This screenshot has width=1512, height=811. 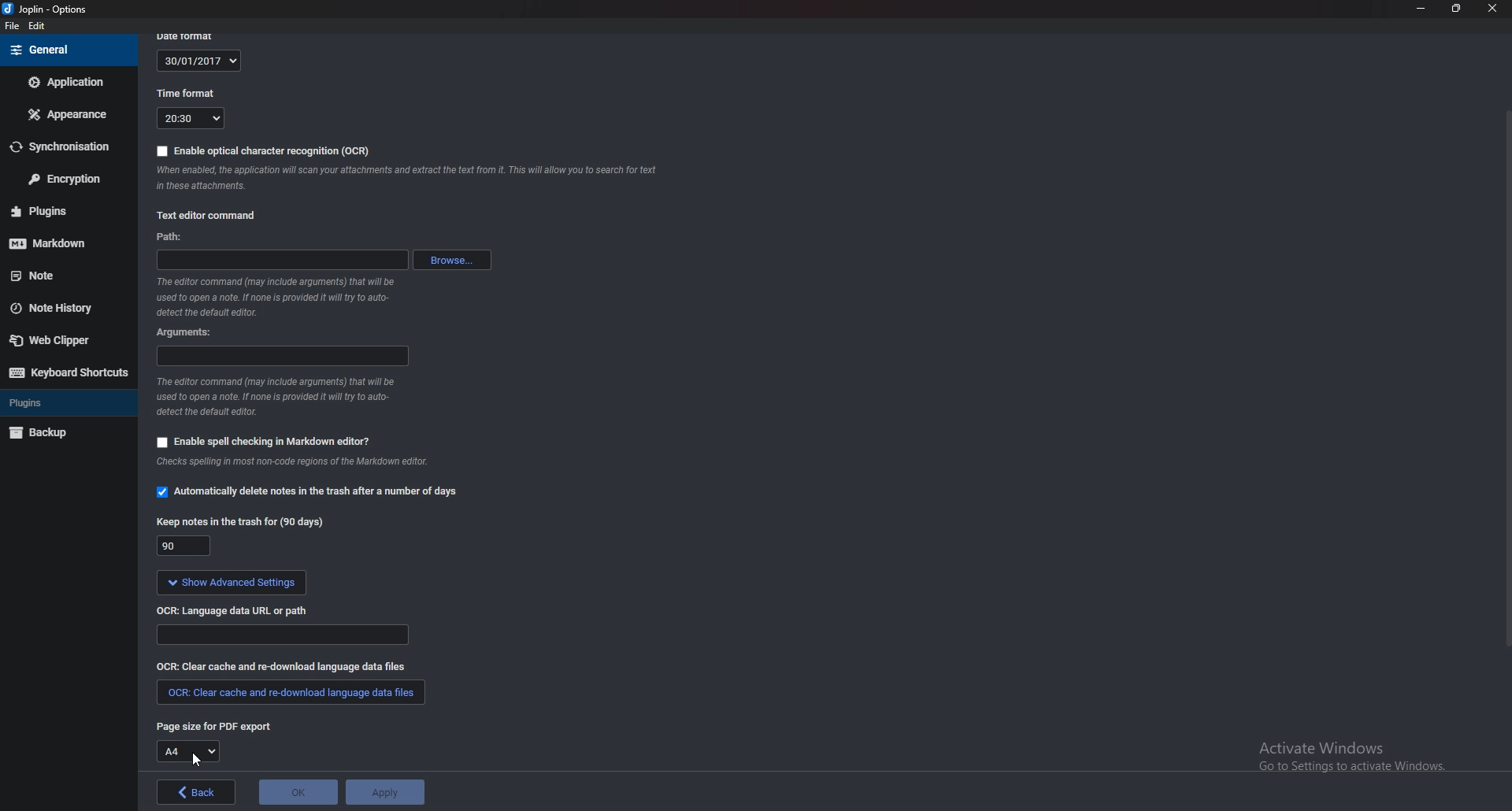 I want to click on clear cache and redownload language data, so click(x=280, y=667).